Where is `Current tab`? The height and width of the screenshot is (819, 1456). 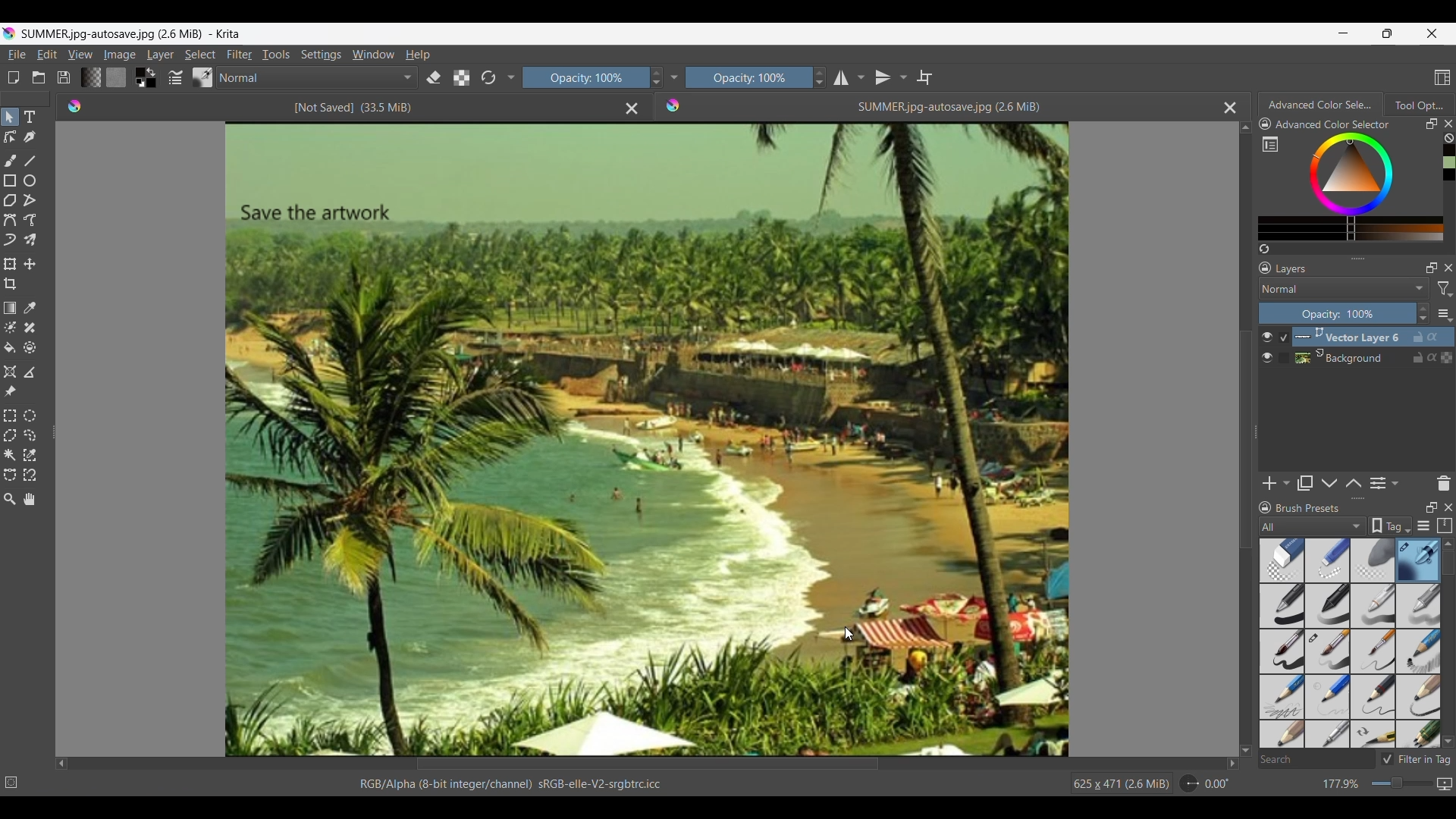
Current tab is located at coordinates (1317, 104).